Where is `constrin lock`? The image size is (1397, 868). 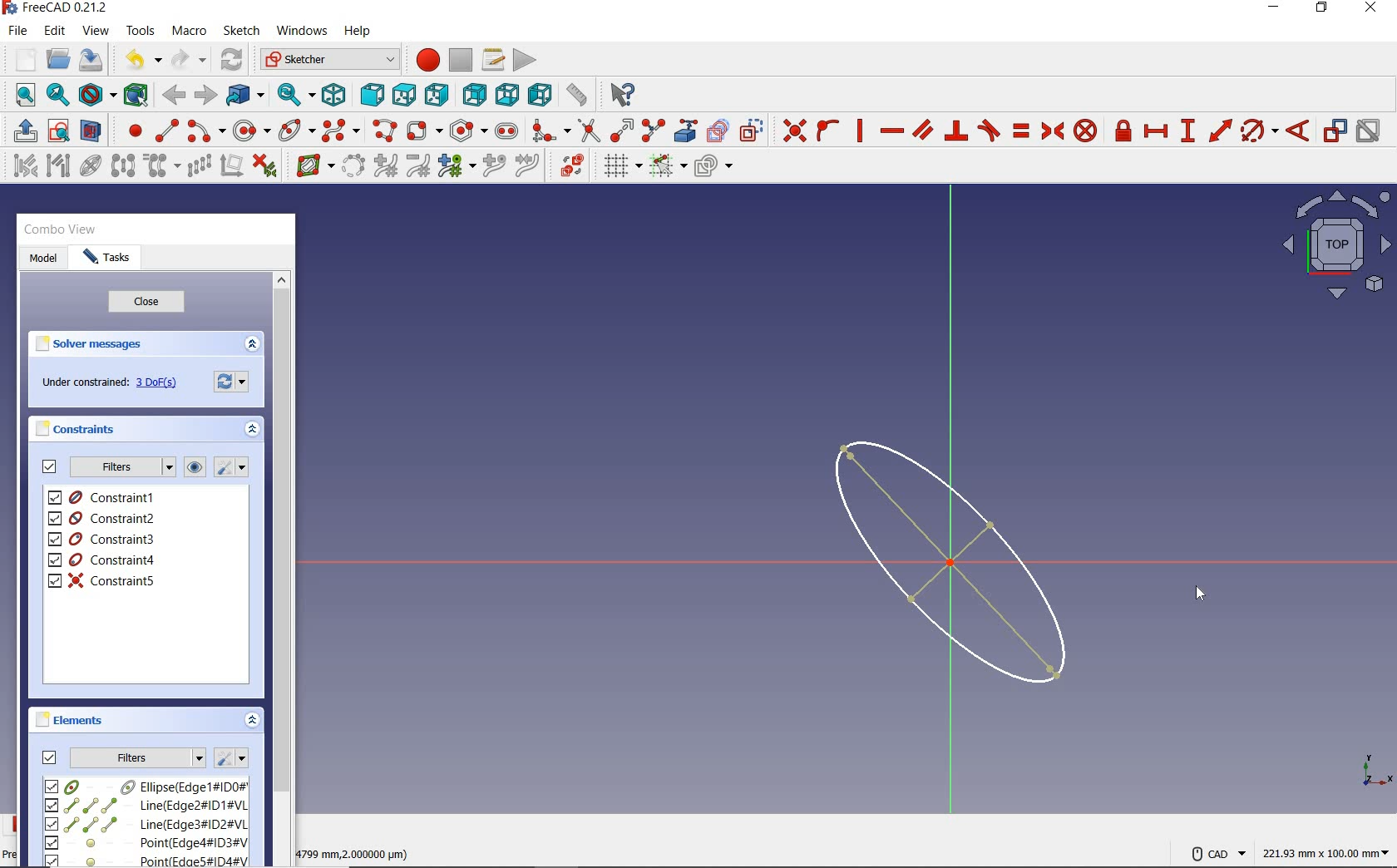 constrin lock is located at coordinates (1124, 131).